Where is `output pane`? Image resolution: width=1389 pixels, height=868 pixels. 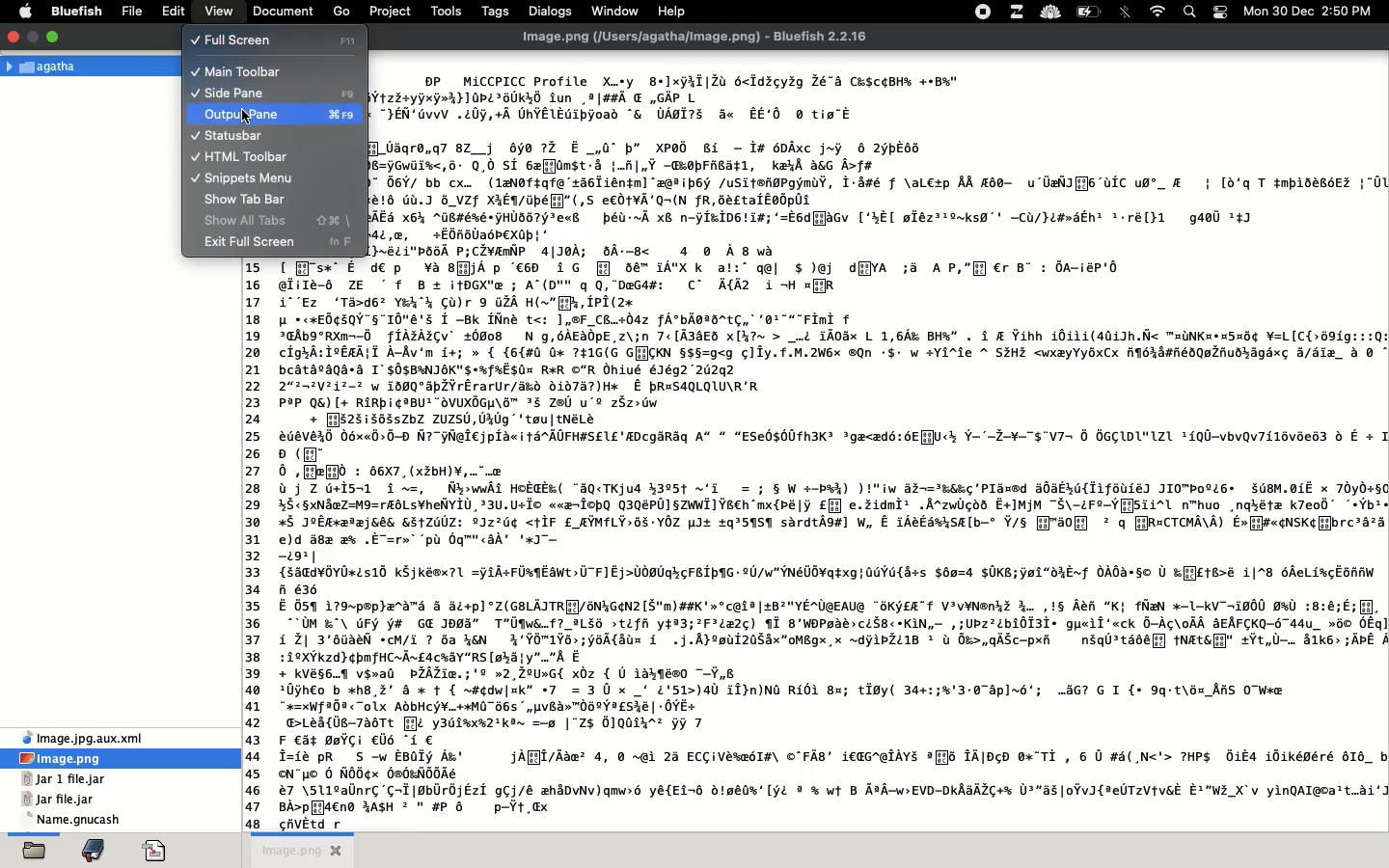 output pane is located at coordinates (282, 113).